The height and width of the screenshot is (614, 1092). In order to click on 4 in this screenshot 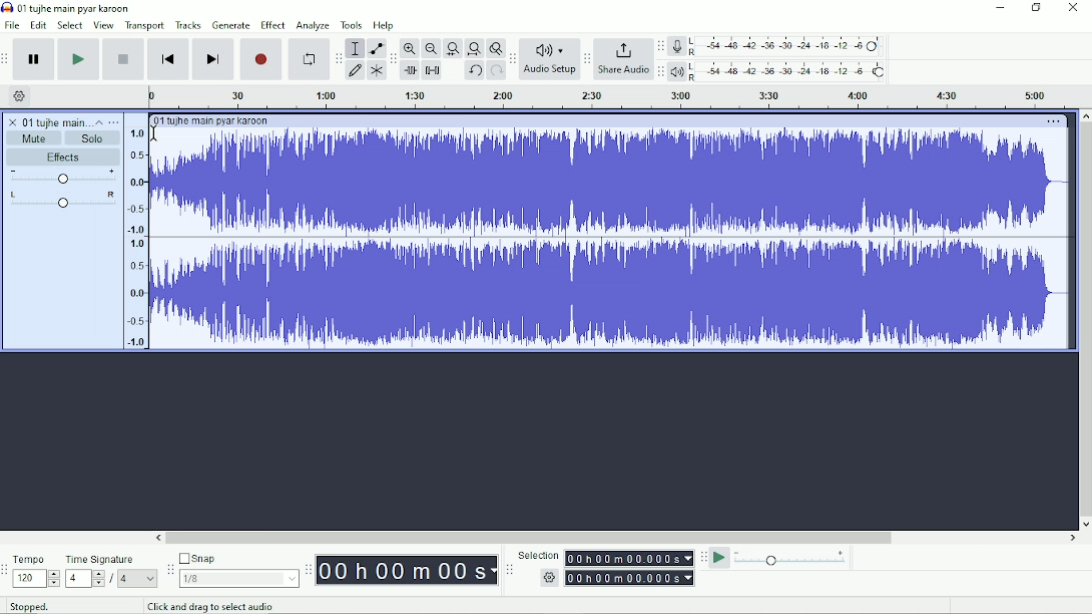, I will do `click(138, 579)`.